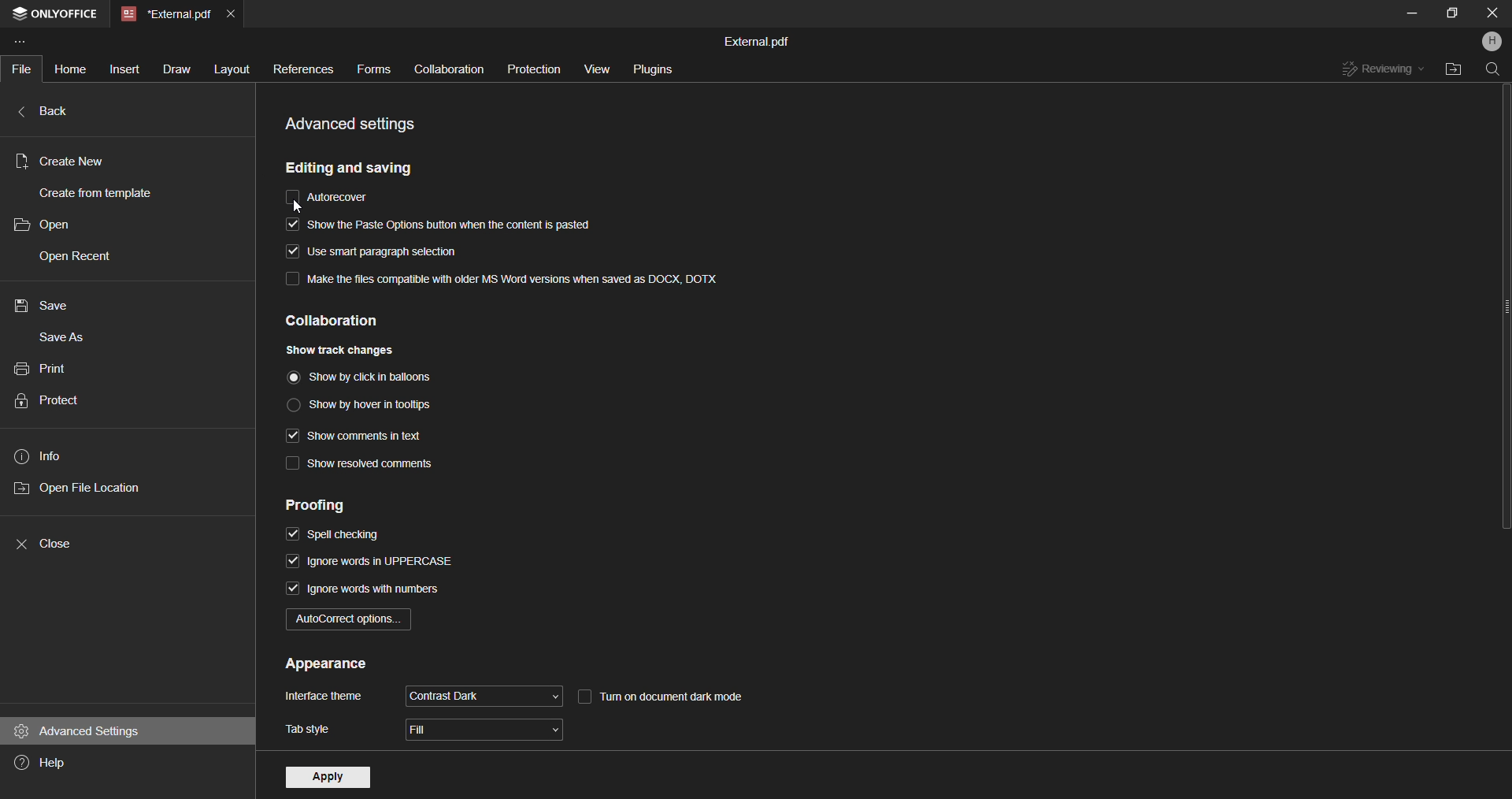  Describe the element at coordinates (76, 258) in the screenshot. I see `open recent` at that location.